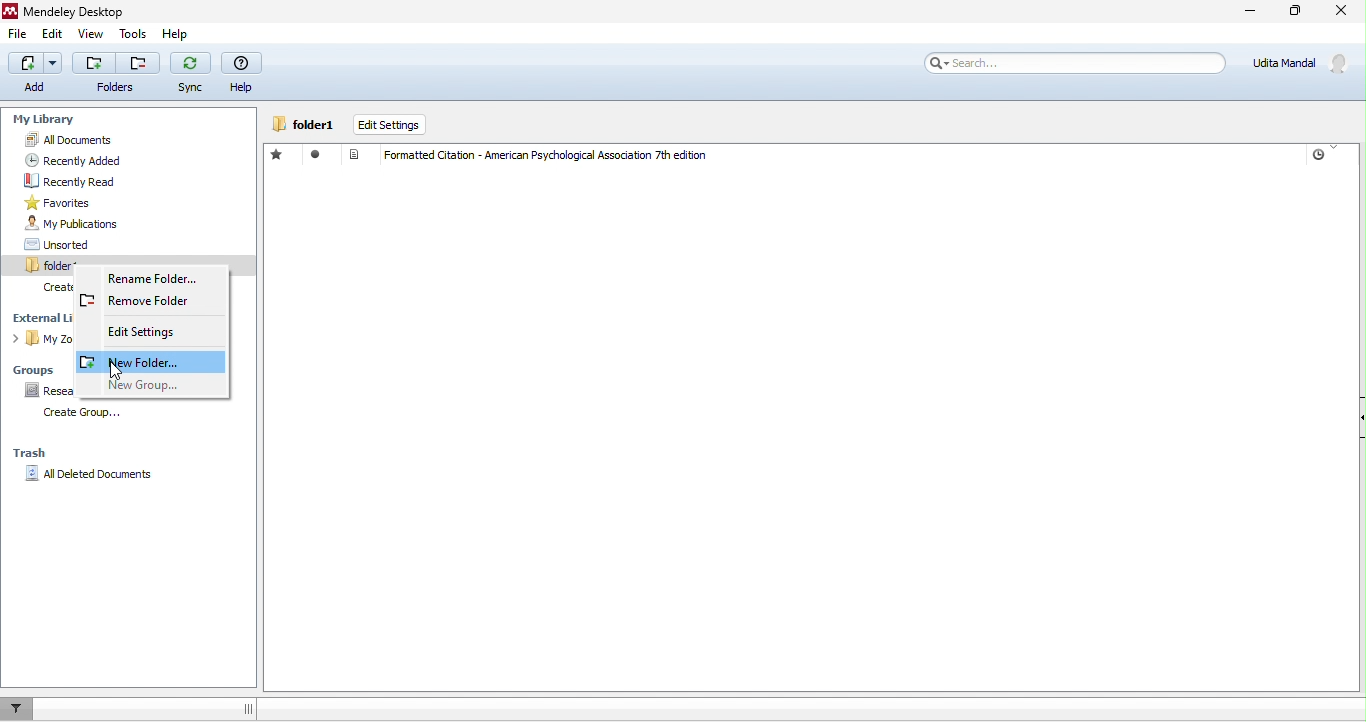 Image resolution: width=1366 pixels, height=722 pixels. What do you see at coordinates (89, 180) in the screenshot?
I see `recently read` at bounding box center [89, 180].